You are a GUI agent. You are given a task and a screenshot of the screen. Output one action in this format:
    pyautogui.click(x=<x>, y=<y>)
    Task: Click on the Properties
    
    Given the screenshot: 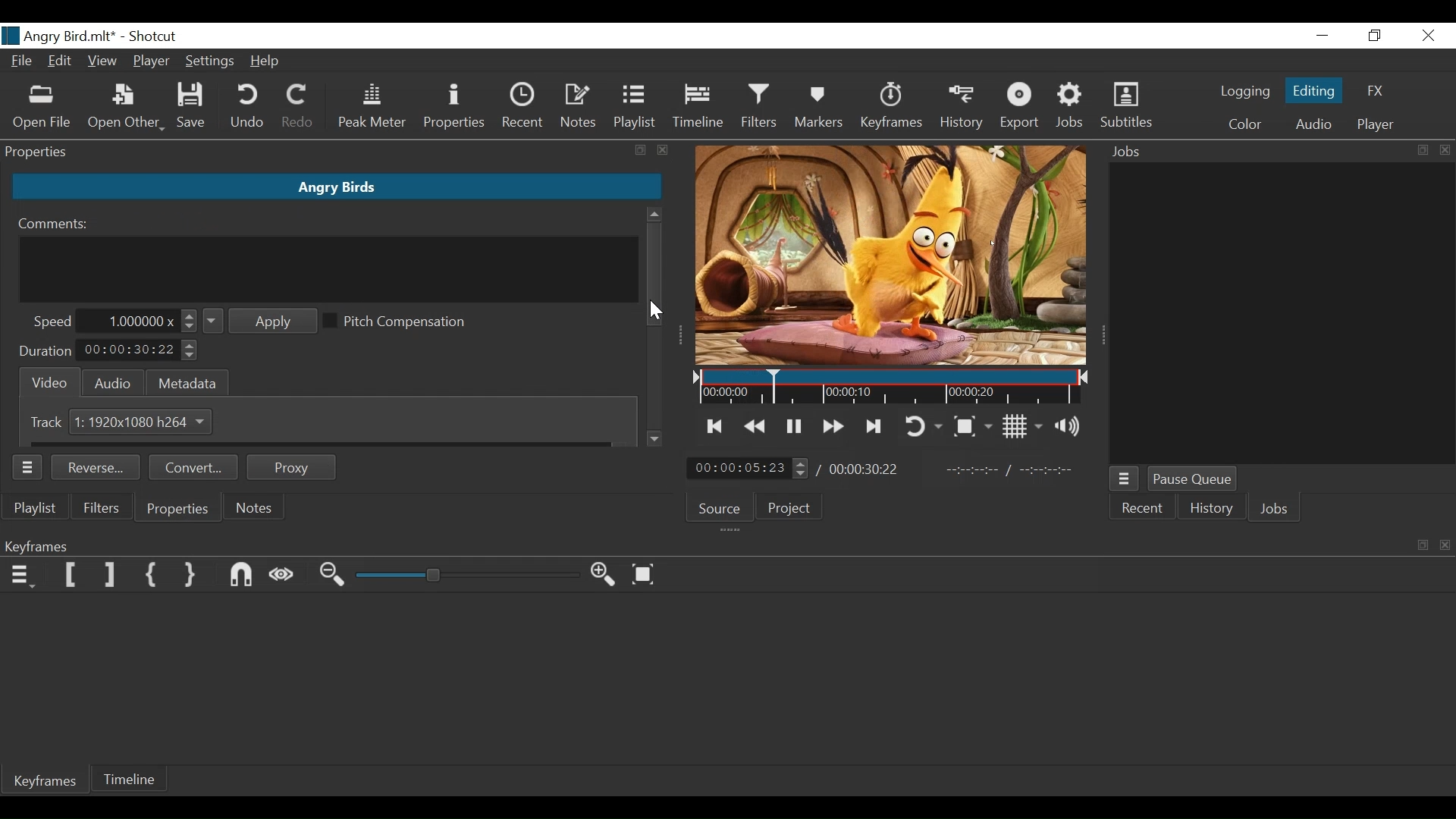 What is the action you would take?
    pyautogui.click(x=453, y=108)
    